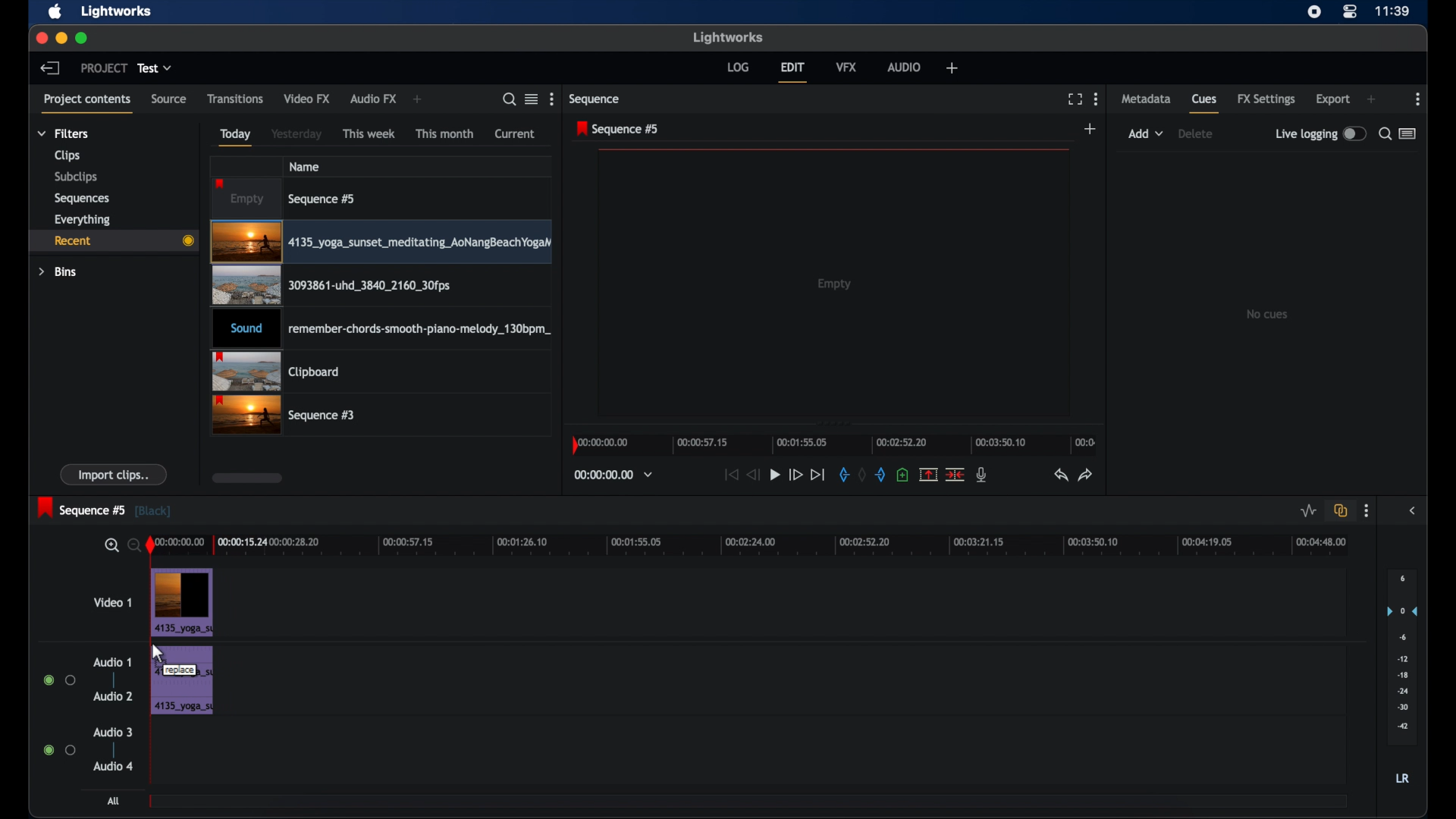  I want to click on audio, so click(904, 67).